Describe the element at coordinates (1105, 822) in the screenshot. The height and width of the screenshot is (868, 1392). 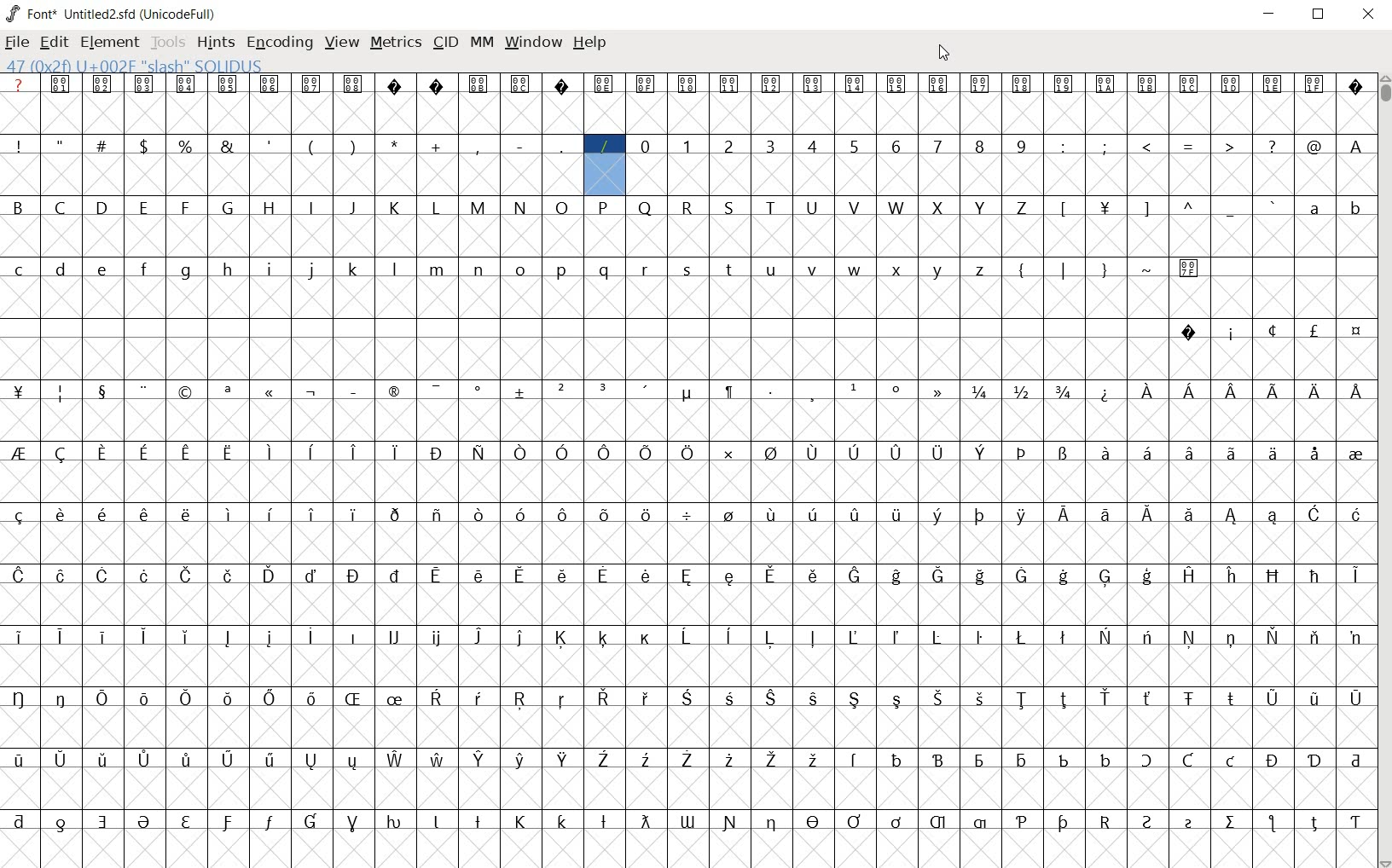
I see `glyph` at that location.